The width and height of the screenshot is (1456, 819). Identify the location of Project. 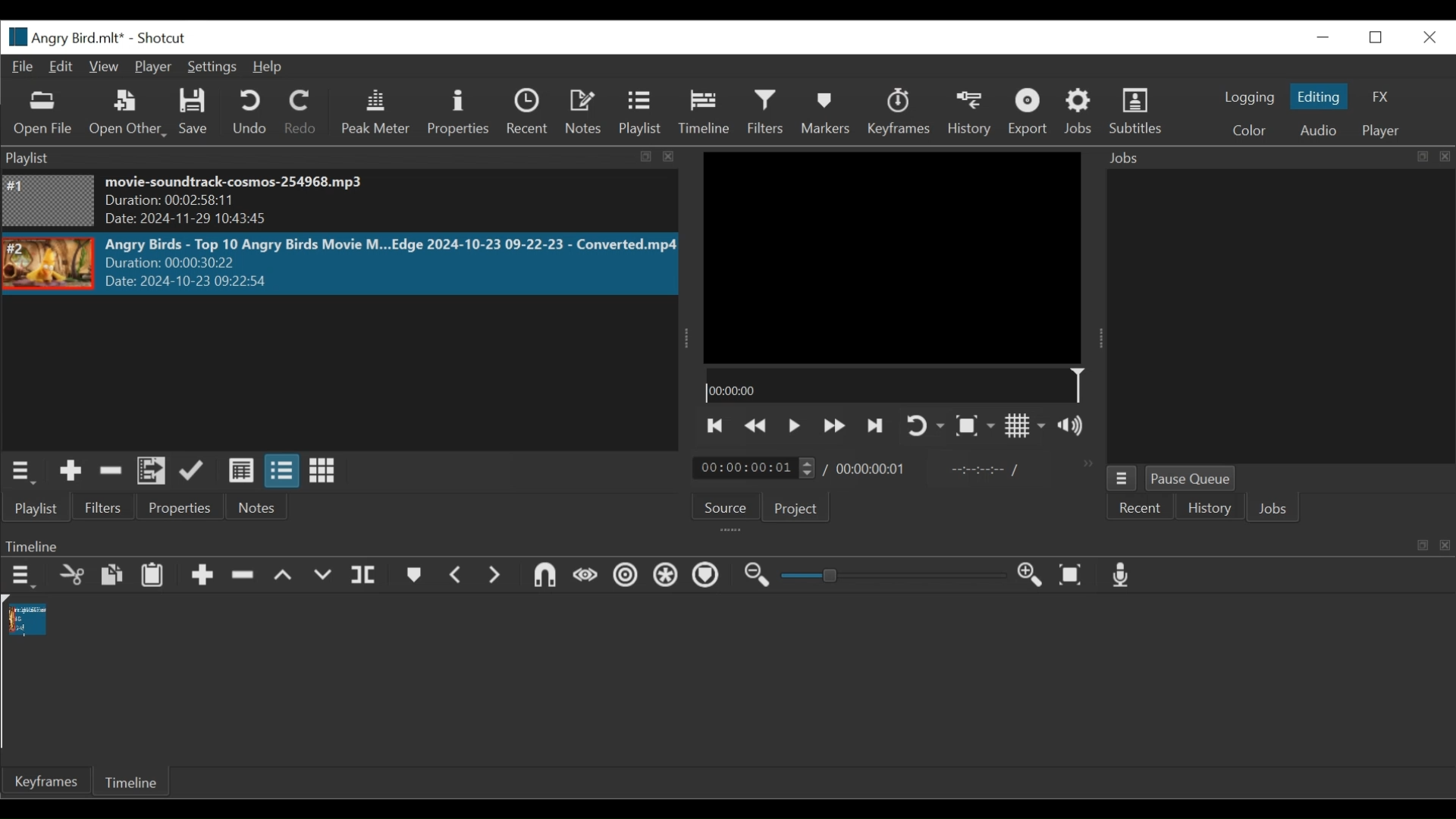
(794, 508).